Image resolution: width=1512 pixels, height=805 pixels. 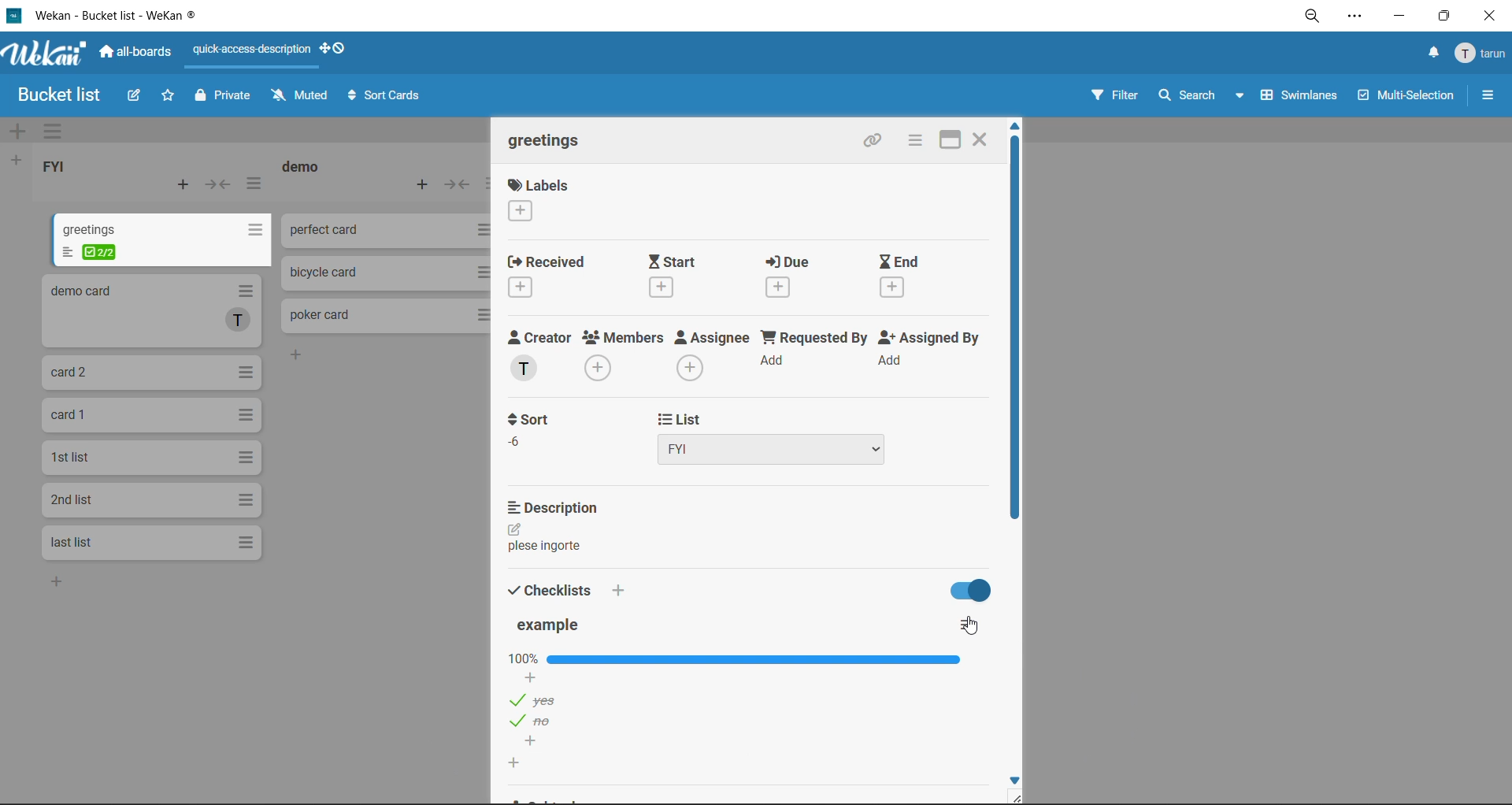 I want to click on sidebar, so click(x=1484, y=97).